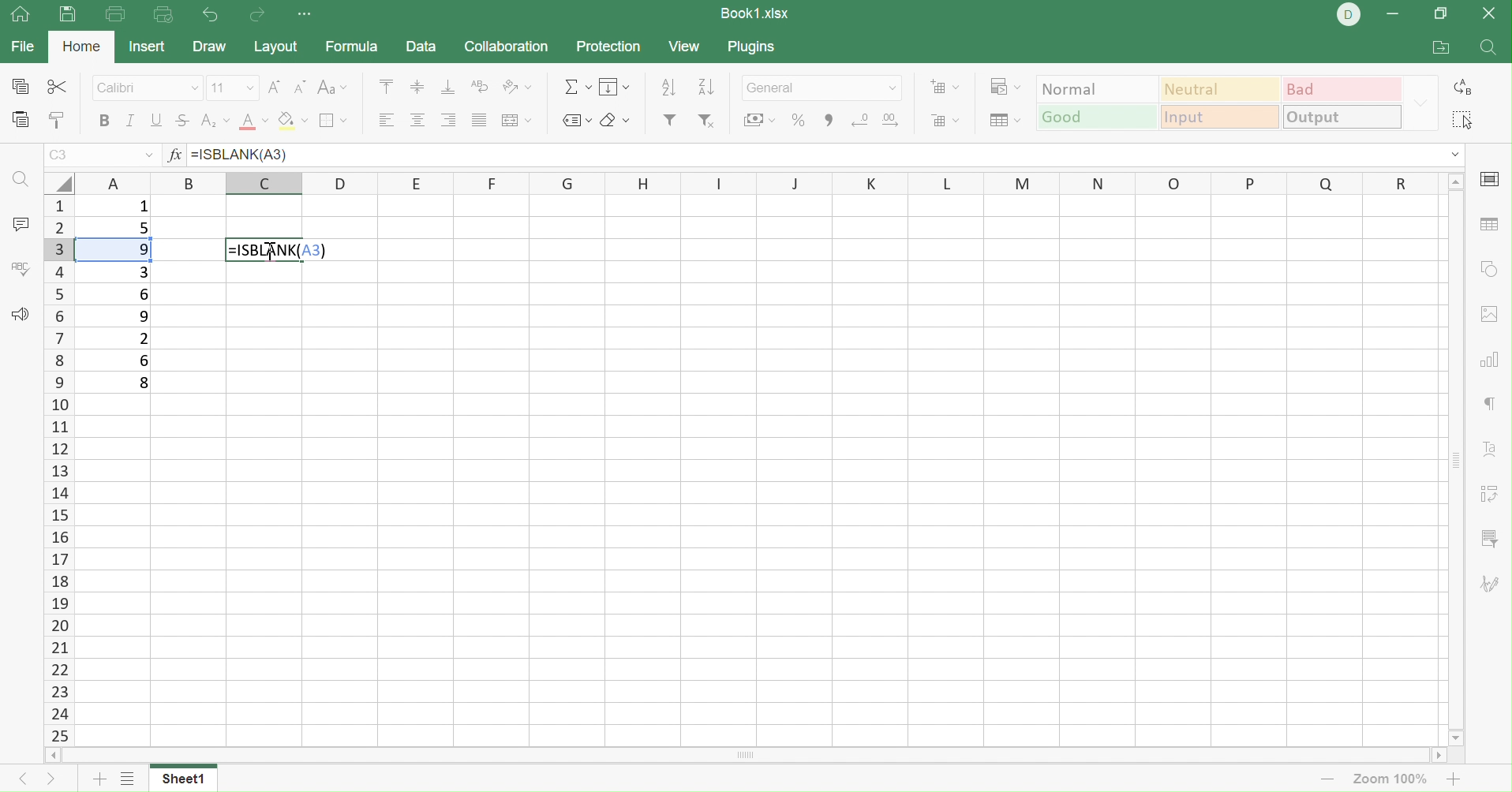 The image size is (1512, 792). Describe the element at coordinates (253, 121) in the screenshot. I see `Font` at that location.